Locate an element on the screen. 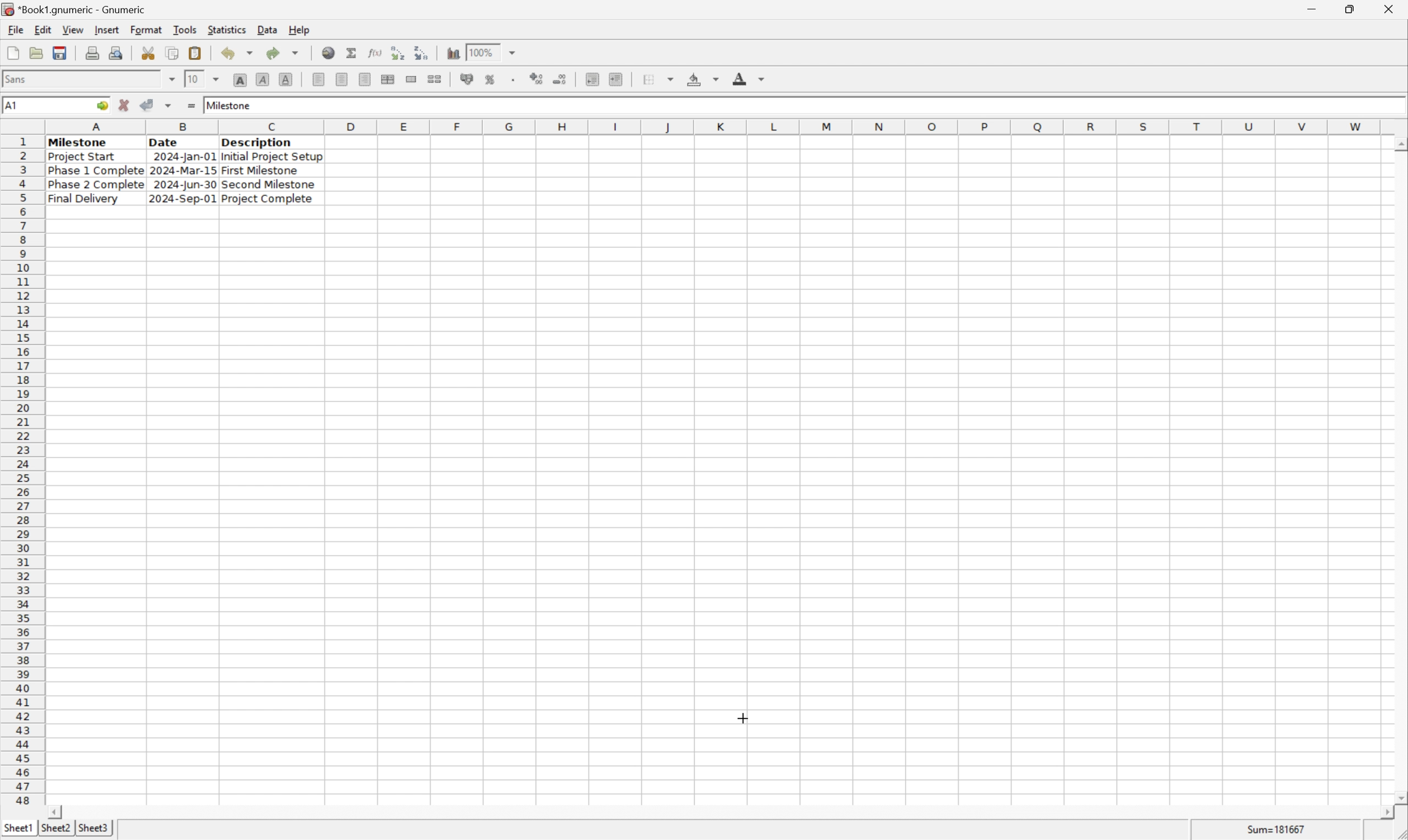 This screenshot has width=1408, height=840. minimize is located at coordinates (1320, 7).